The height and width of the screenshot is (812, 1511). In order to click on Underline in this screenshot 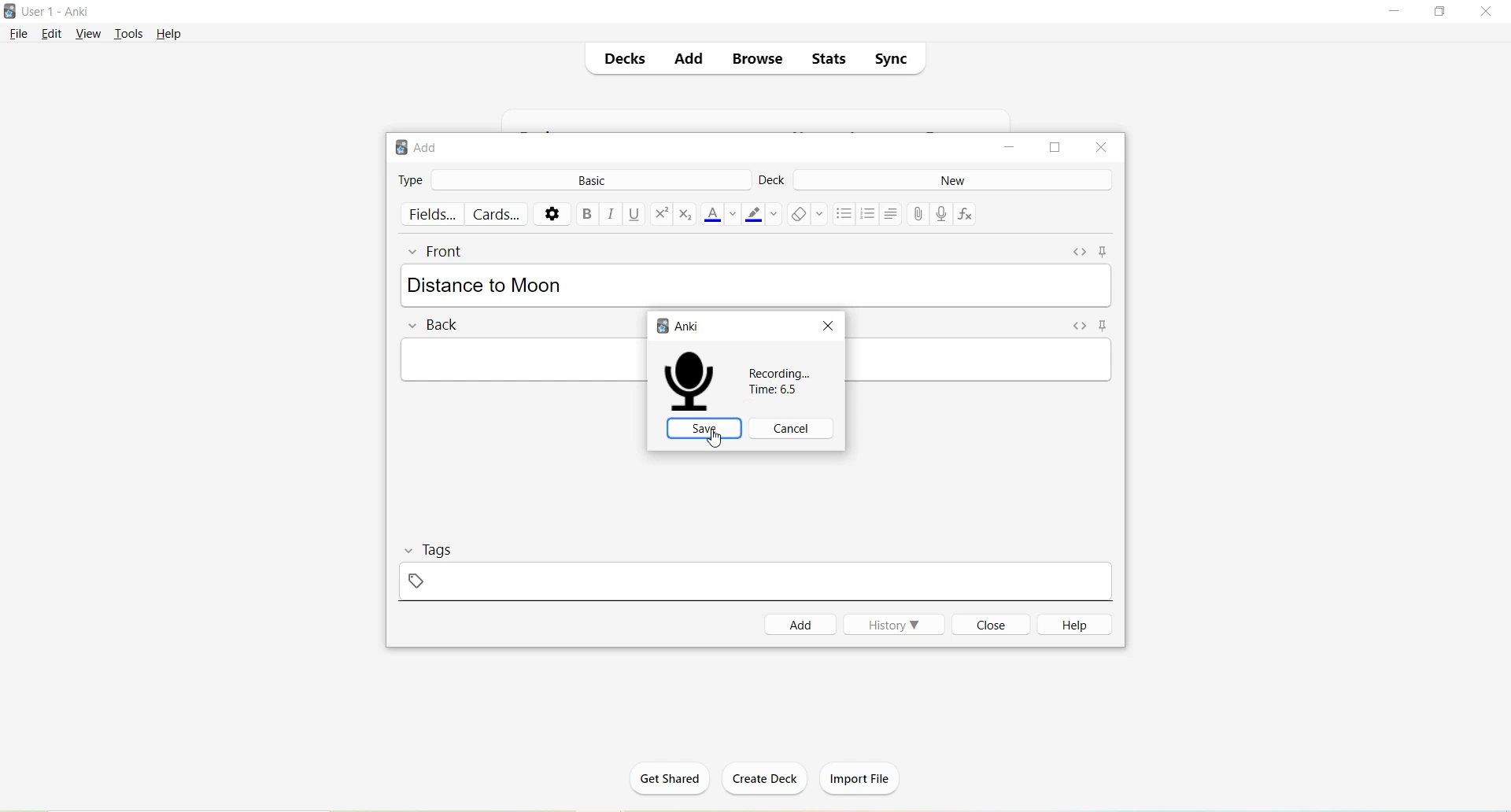, I will do `click(636, 215)`.